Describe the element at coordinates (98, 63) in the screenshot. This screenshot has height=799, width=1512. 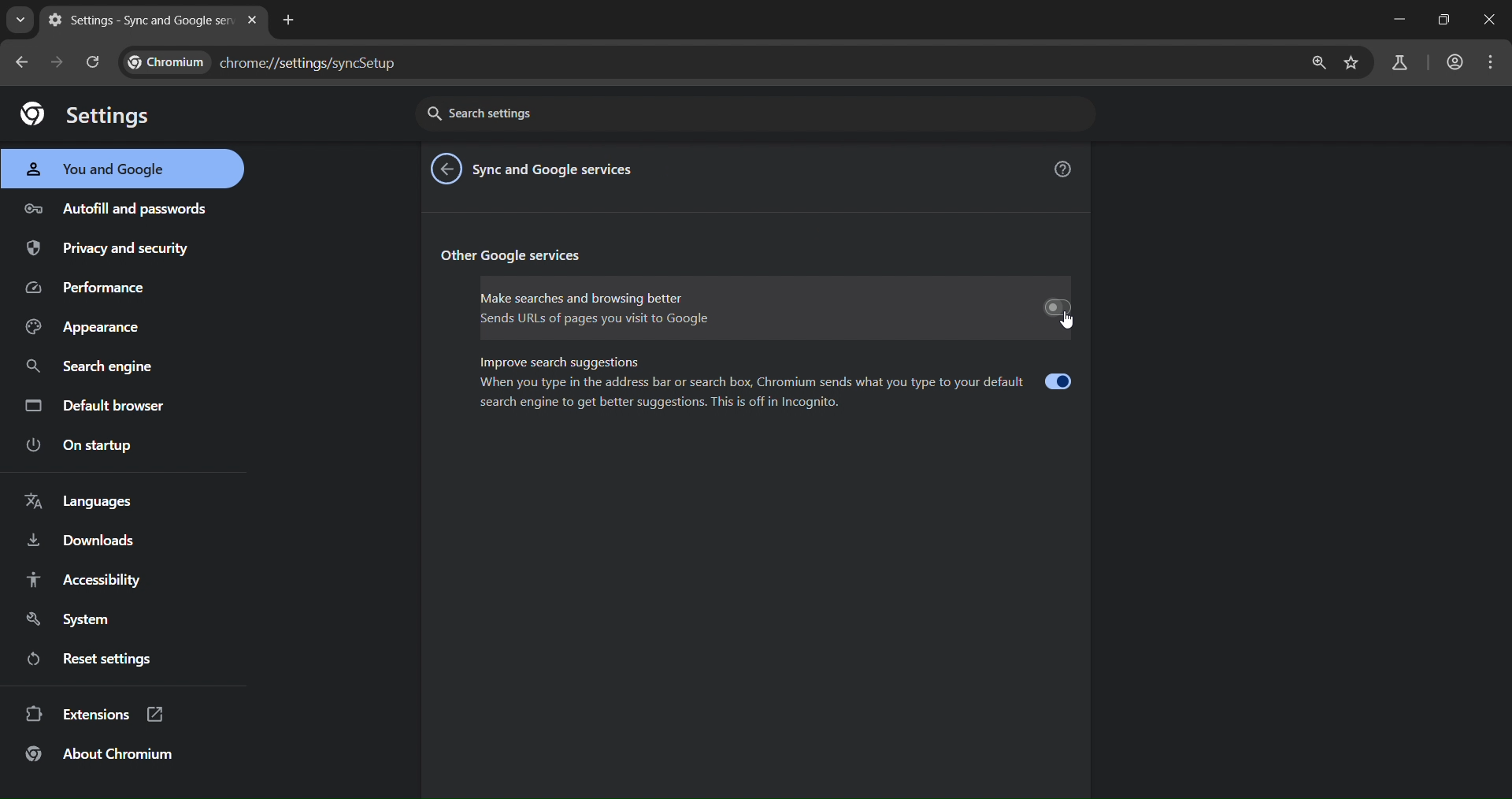
I see `reload page` at that location.